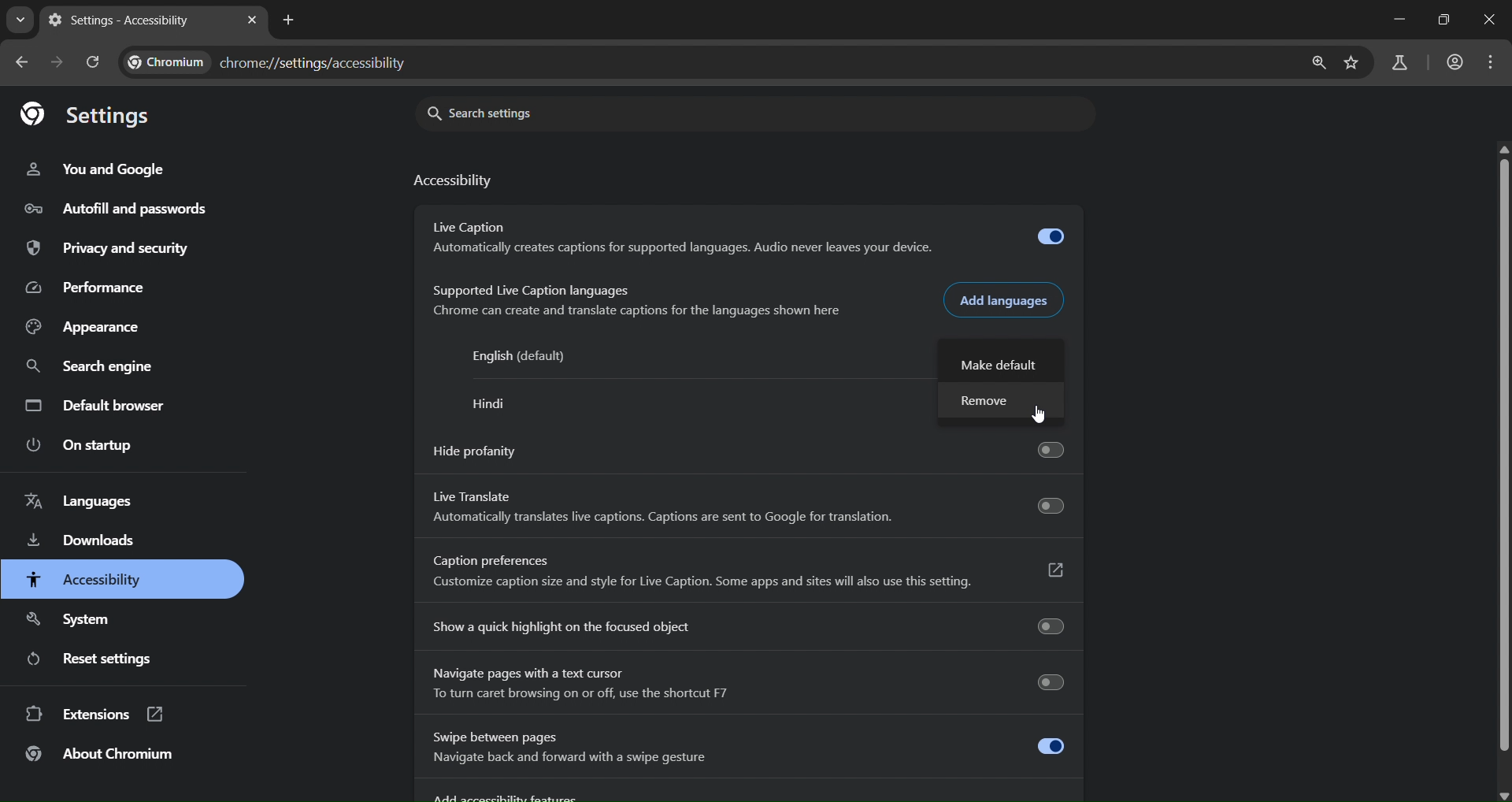  I want to click on scroll down, so click(1502, 794).